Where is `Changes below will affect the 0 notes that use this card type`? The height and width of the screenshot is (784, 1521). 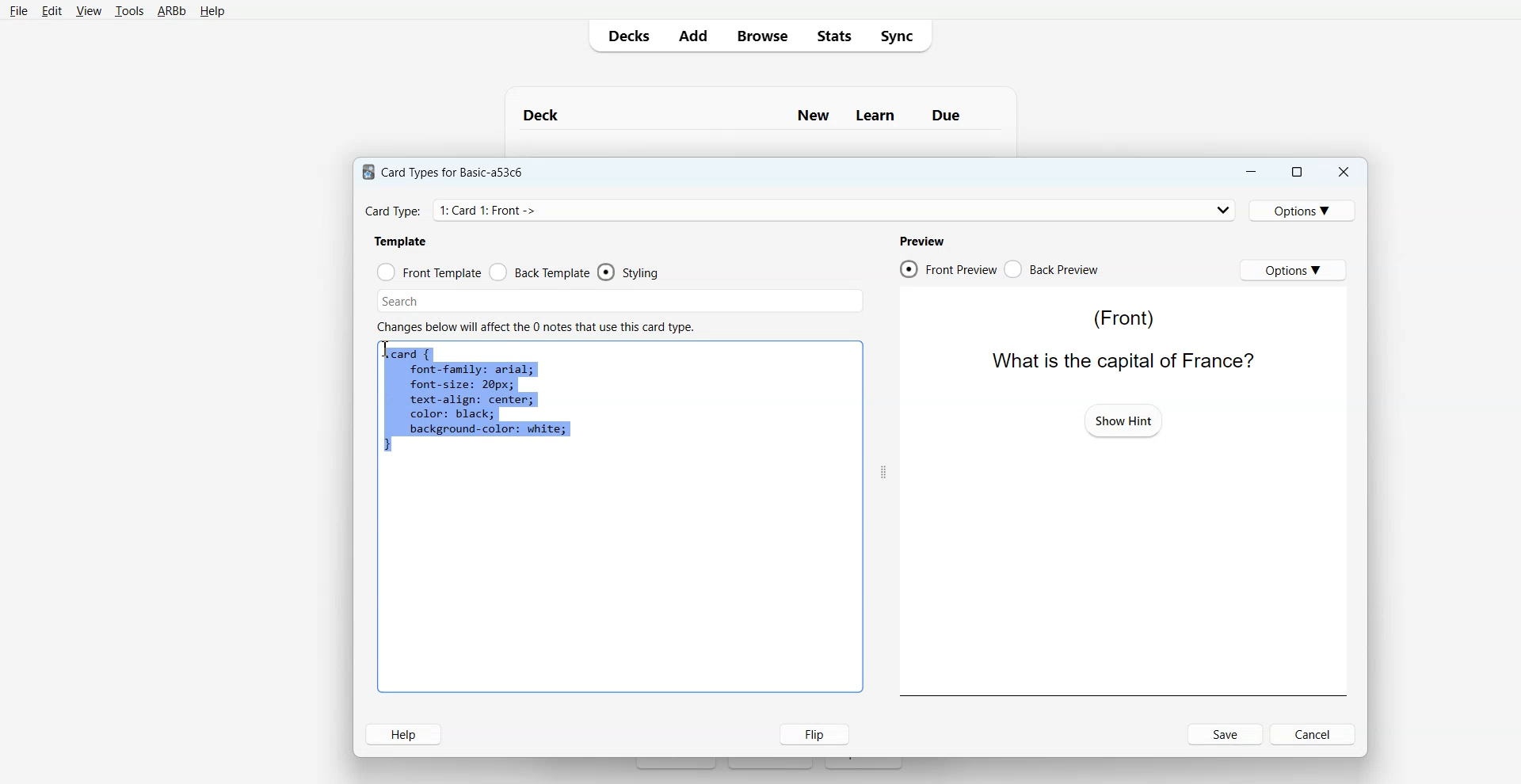 Changes below will affect the 0 notes that use this card type is located at coordinates (542, 327).